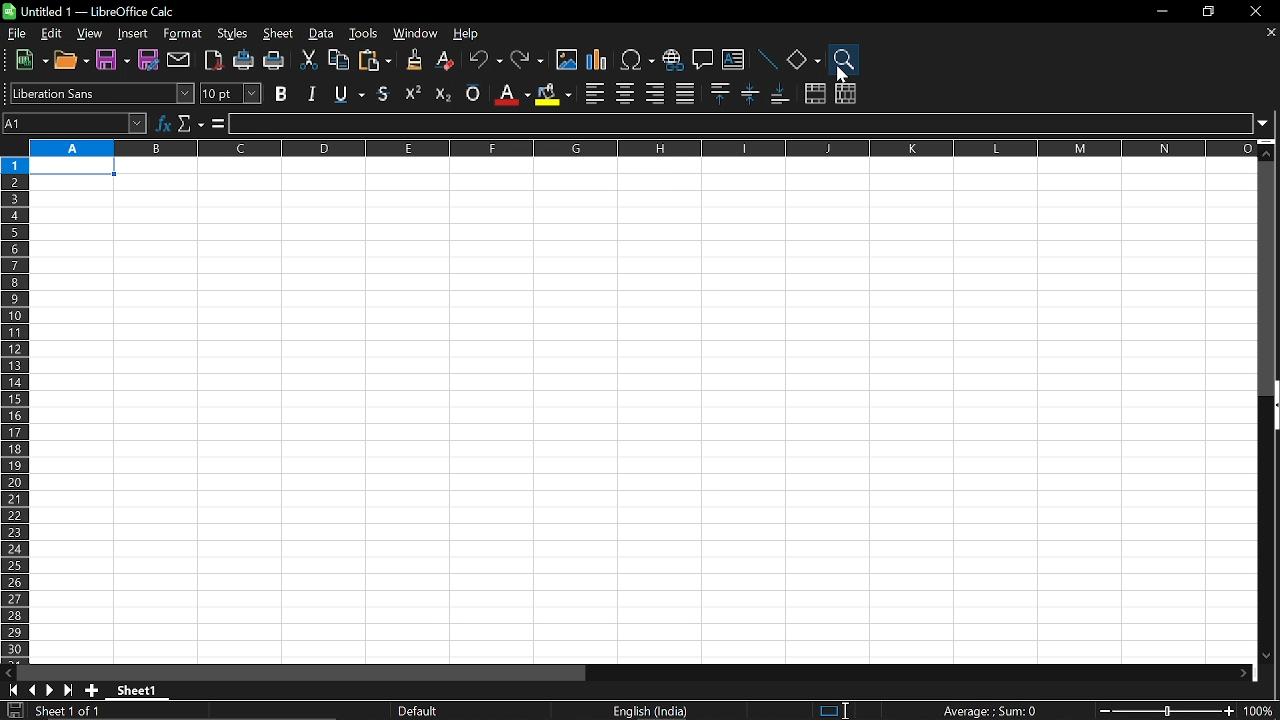 This screenshot has width=1280, height=720. What do you see at coordinates (165, 121) in the screenshot?
I see `function wizard` at bounding box center [165, 121].